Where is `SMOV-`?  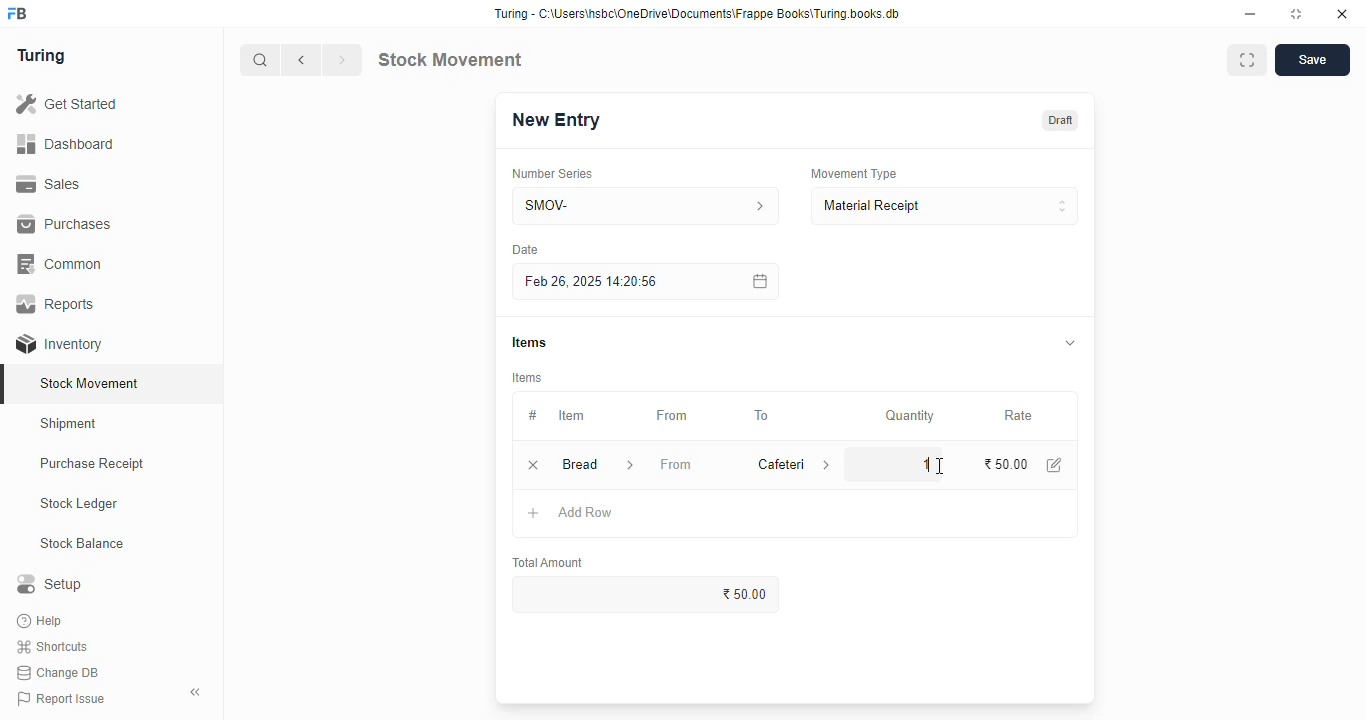 SMOV- is located at coordinates (647, 205).